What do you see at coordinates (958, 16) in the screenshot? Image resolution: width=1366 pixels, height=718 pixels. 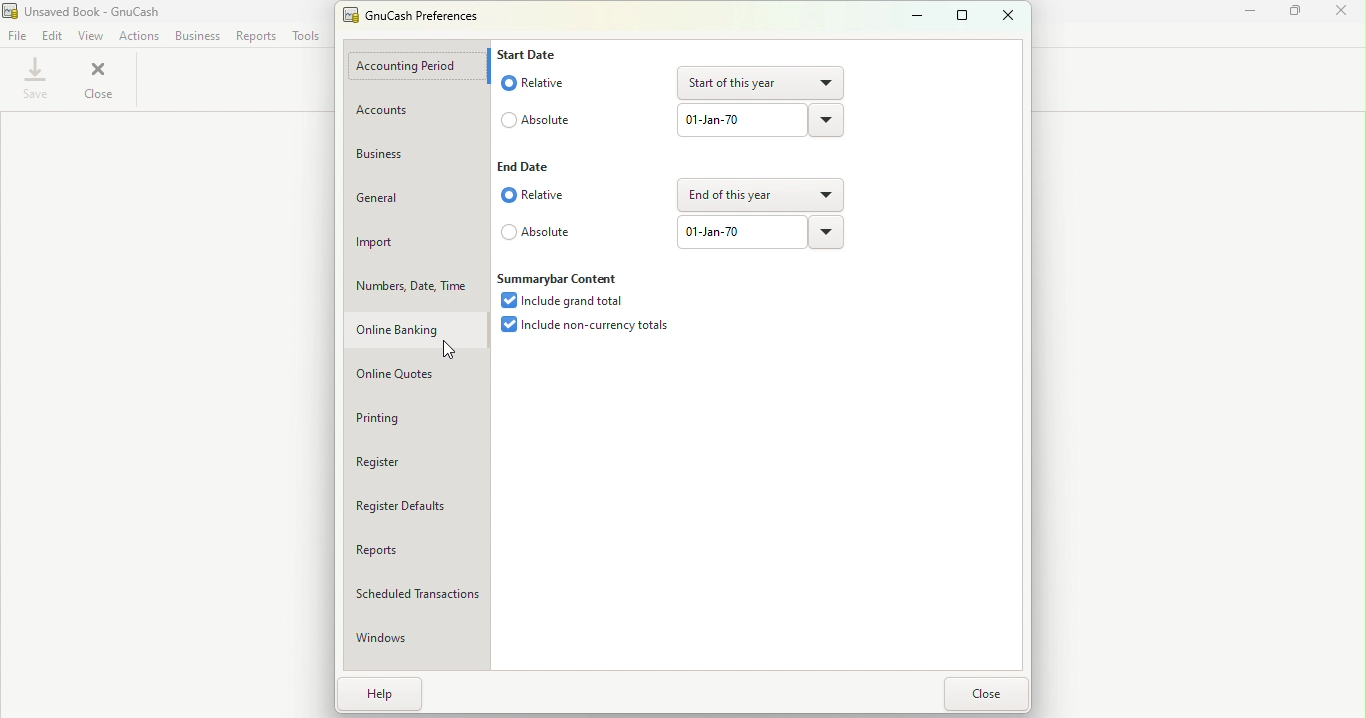 I see `Maximize` at bounding box center [958, 16].